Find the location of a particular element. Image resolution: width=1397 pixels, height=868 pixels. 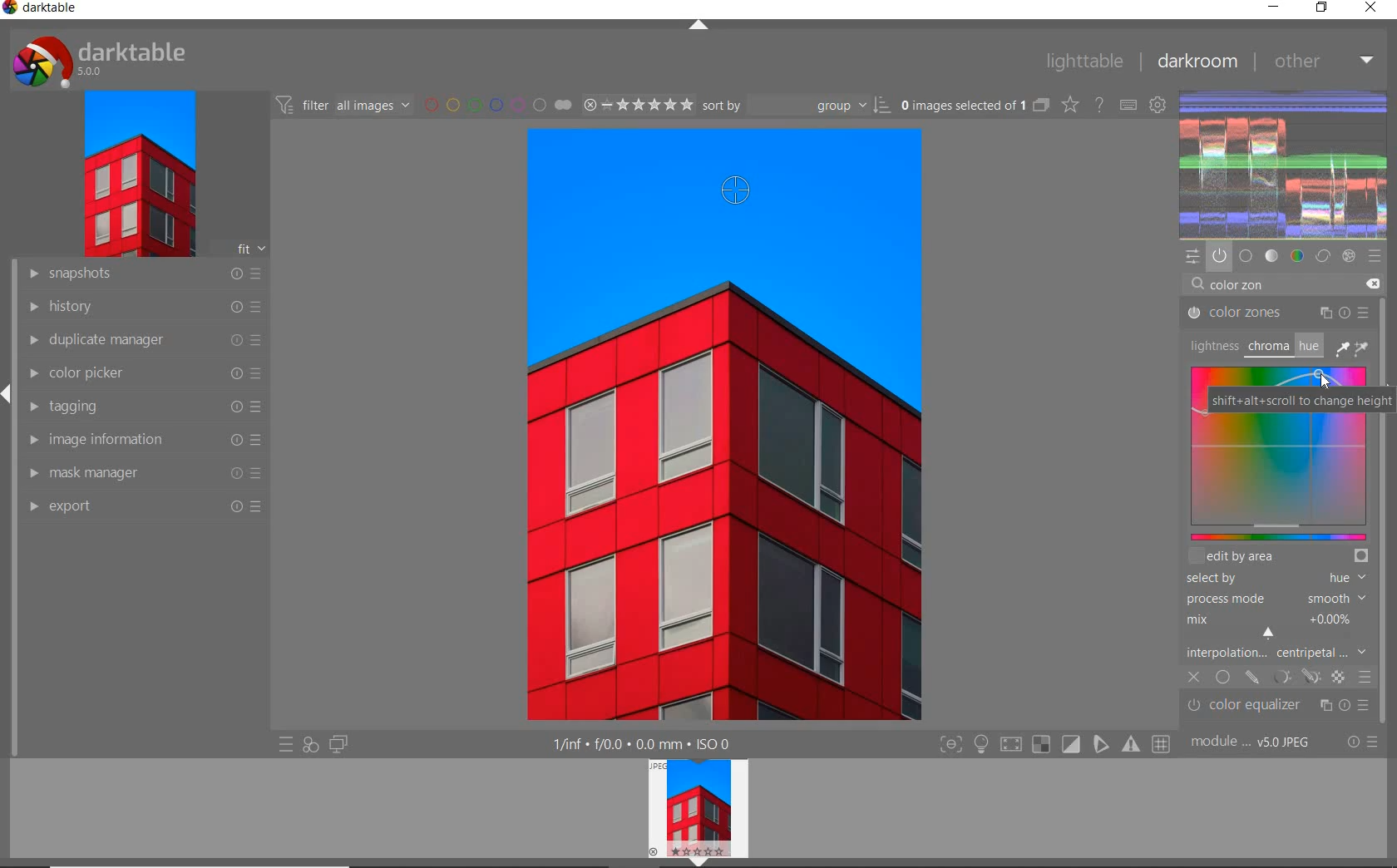

focus mask is located at coordinates (1128, 745).